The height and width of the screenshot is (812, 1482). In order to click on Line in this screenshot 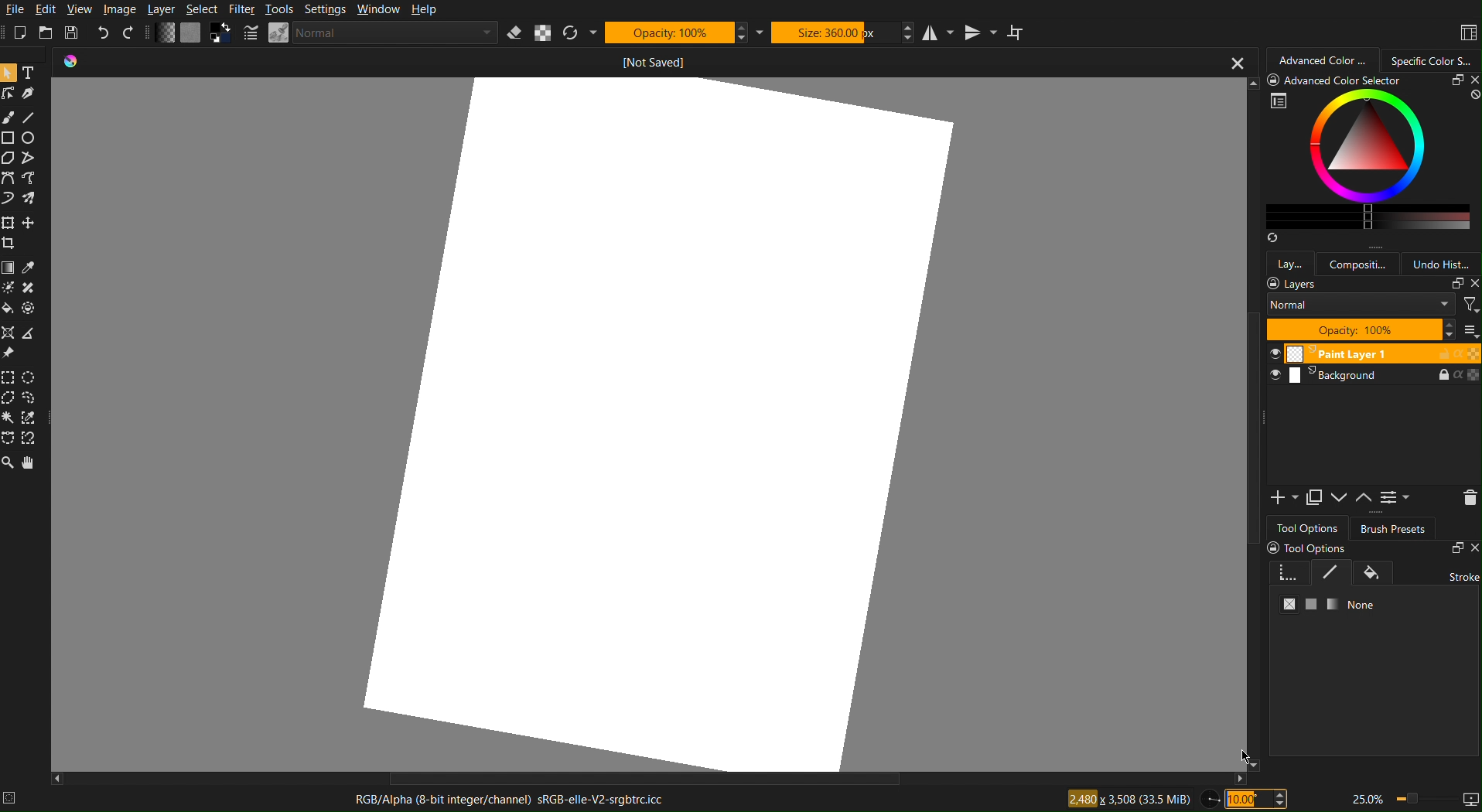, I will do `click(29, 115)`.